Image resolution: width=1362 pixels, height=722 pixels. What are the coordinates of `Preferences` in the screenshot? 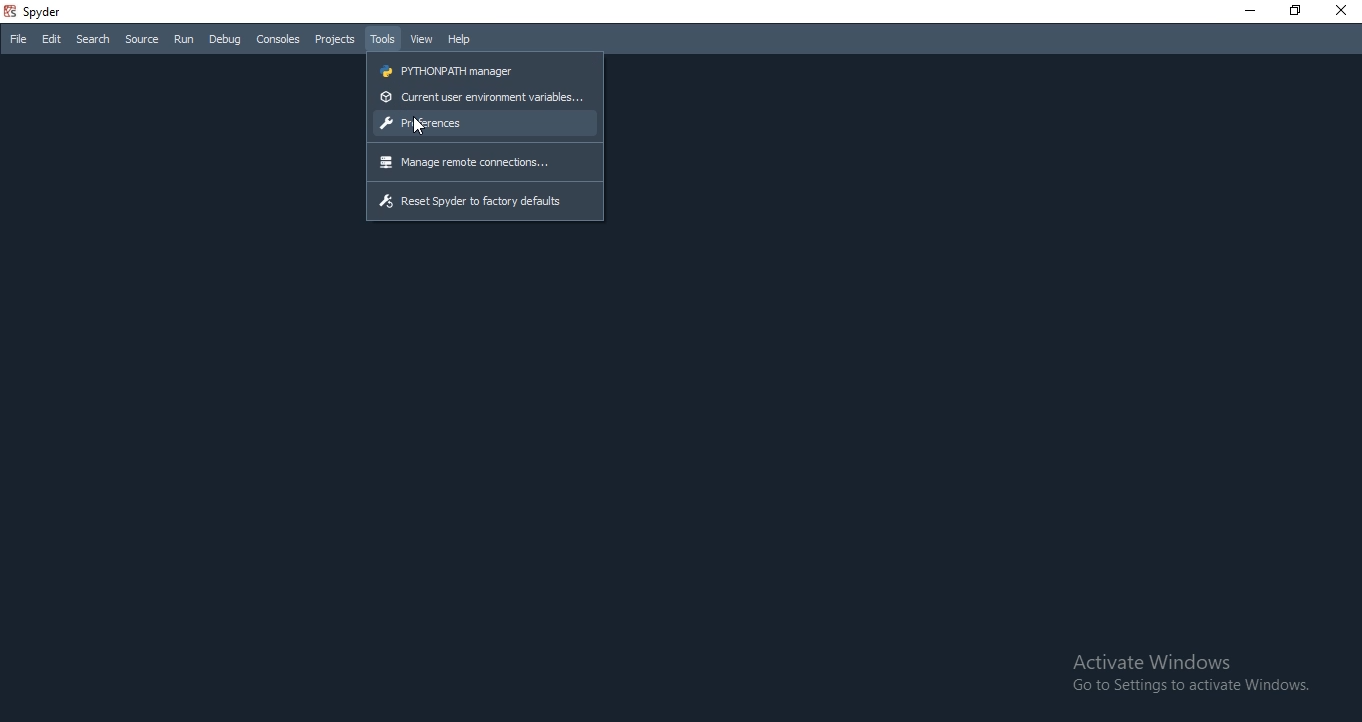 It's located at (483, 122).